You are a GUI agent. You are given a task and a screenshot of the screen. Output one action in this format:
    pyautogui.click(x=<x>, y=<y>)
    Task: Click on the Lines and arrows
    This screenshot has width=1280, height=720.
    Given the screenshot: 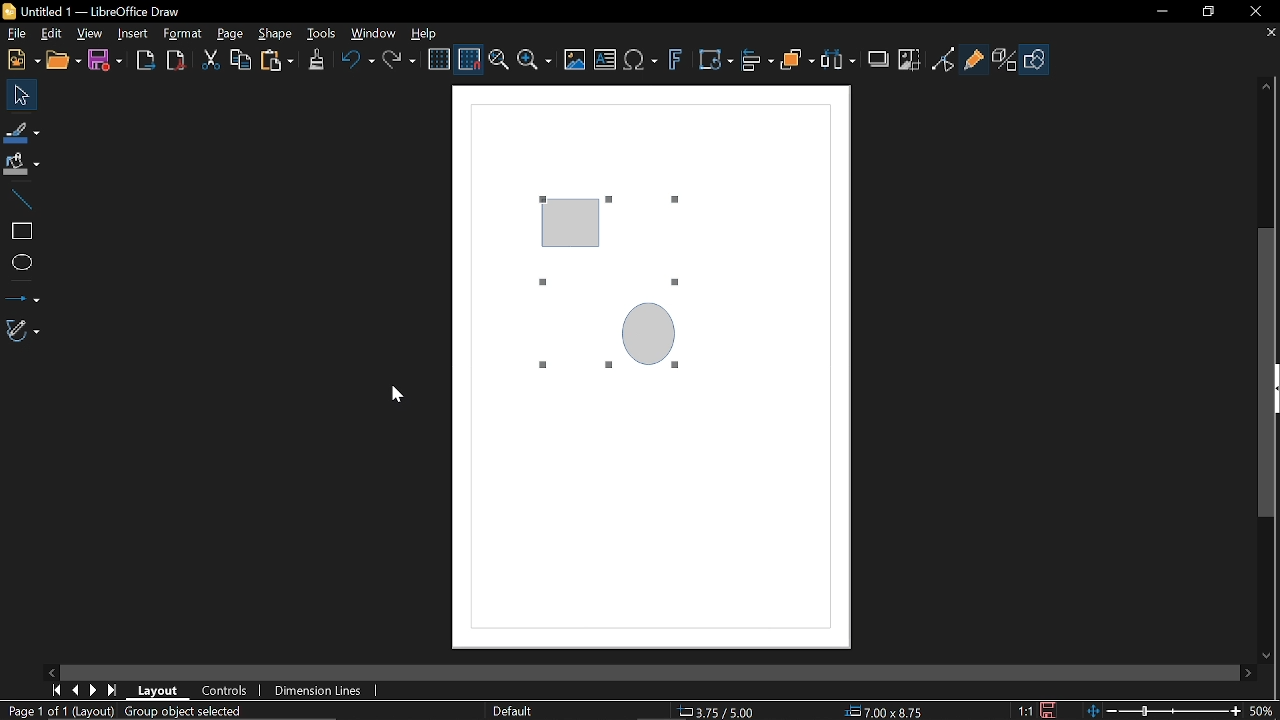 What is the action you would take?
    pyautogui.click(x=21, y=294)
    